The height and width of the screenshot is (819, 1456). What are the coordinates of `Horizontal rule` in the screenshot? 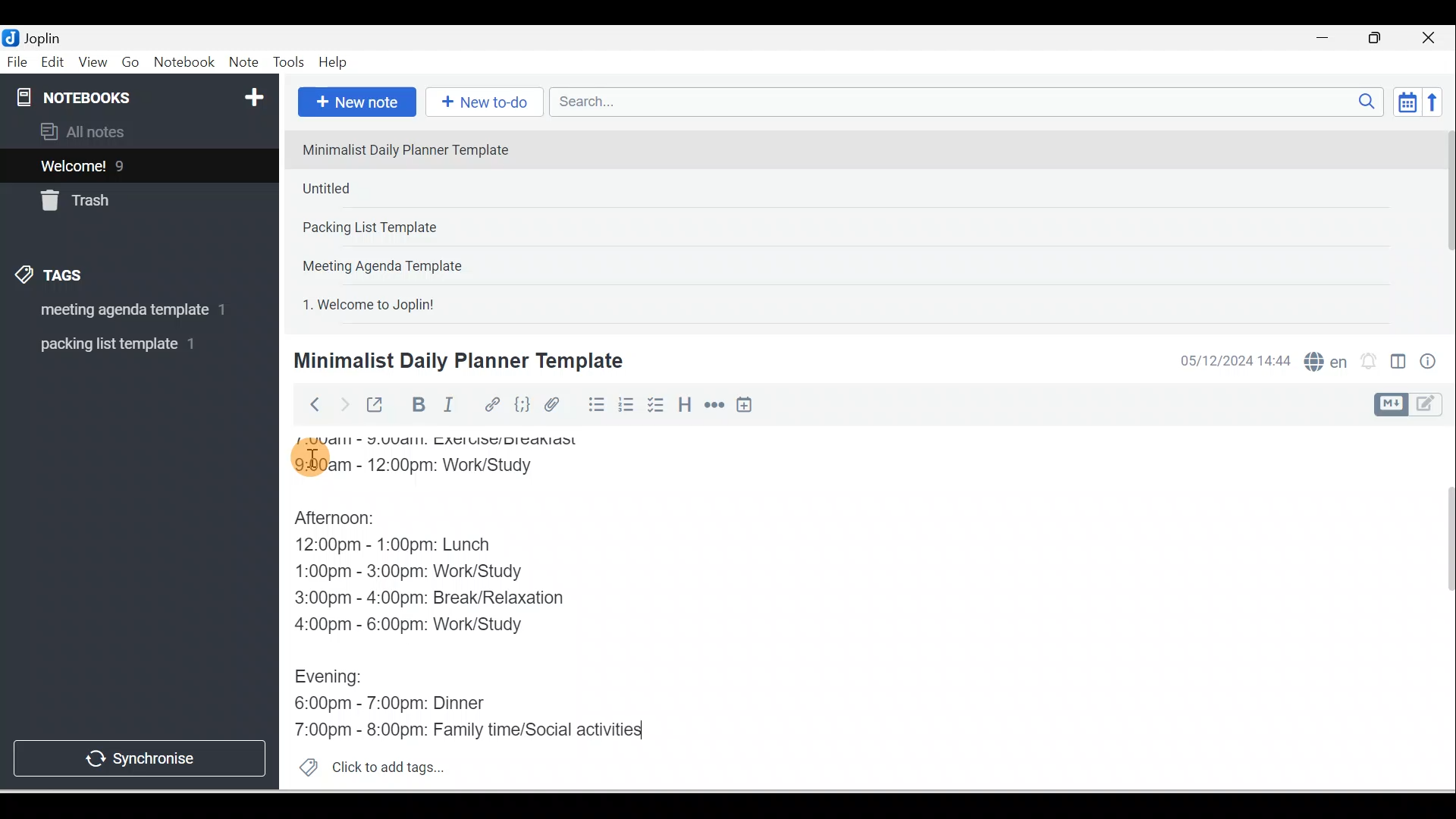 It's located at (716, 405).